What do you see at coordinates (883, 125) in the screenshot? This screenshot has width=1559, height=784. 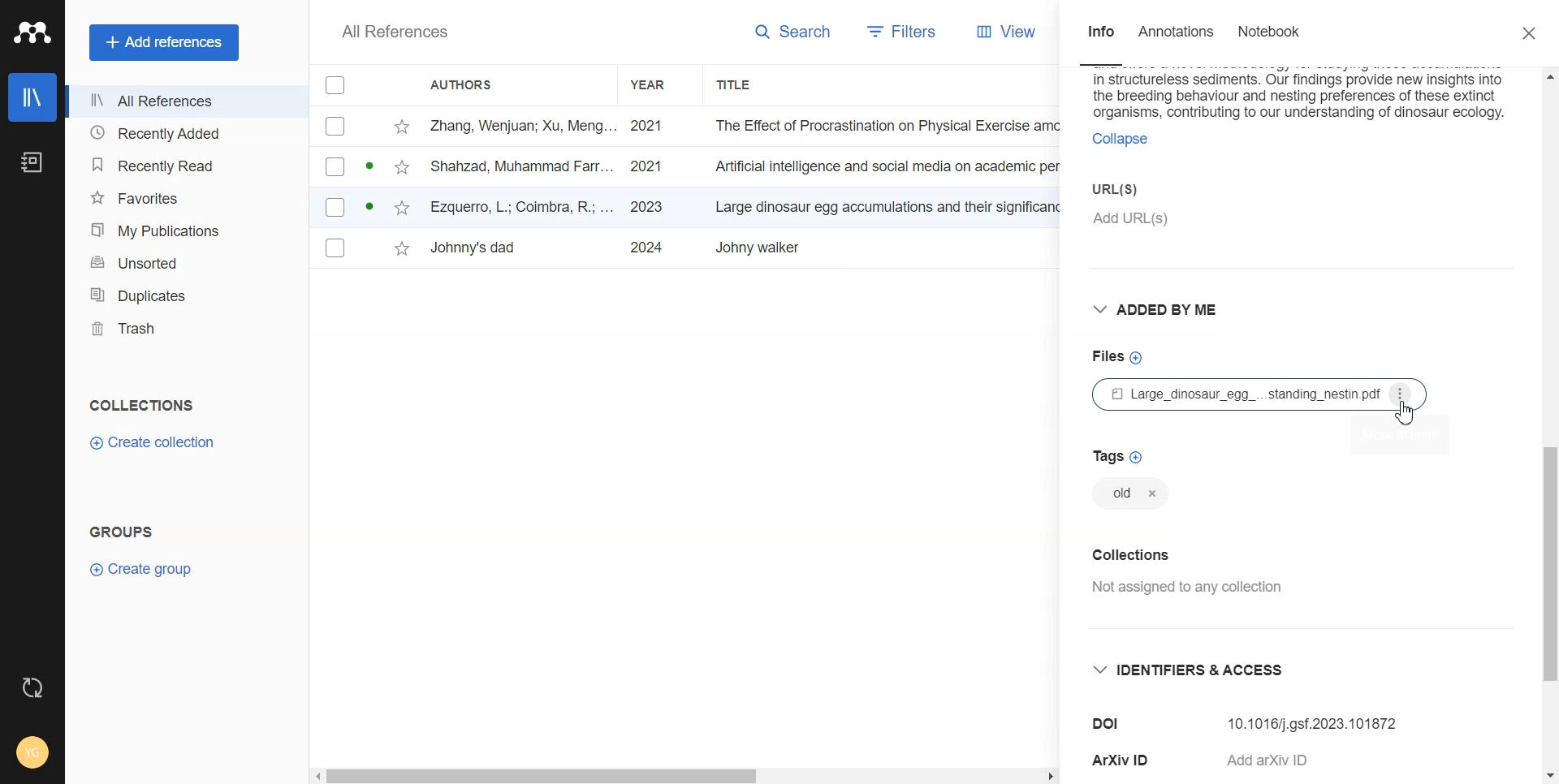 I see `Title` at bounding box center [883, 125].